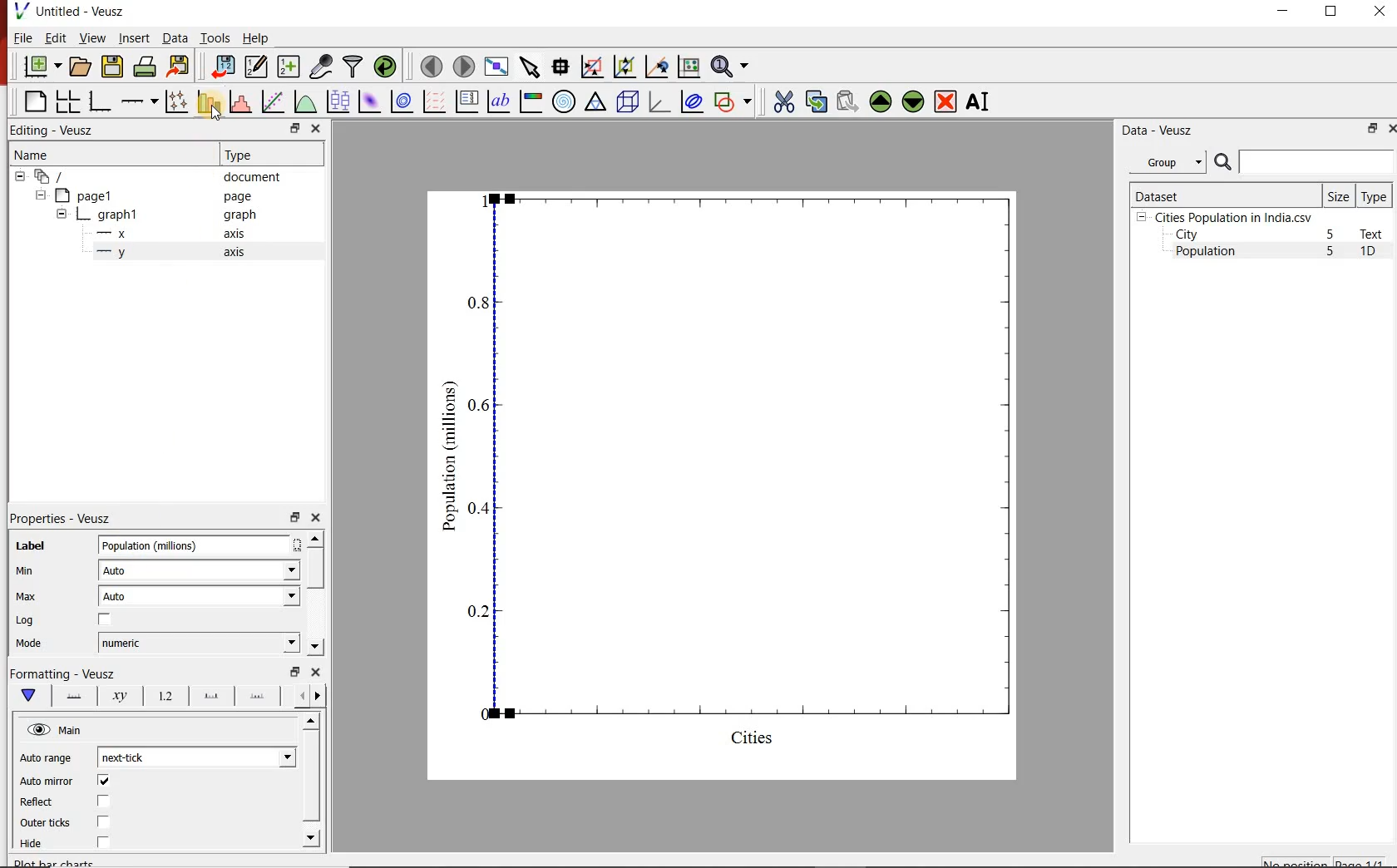 The width and height of the screenshot is (1397, 868). I want to click on Untitled-Veusz, so click(71, 12).